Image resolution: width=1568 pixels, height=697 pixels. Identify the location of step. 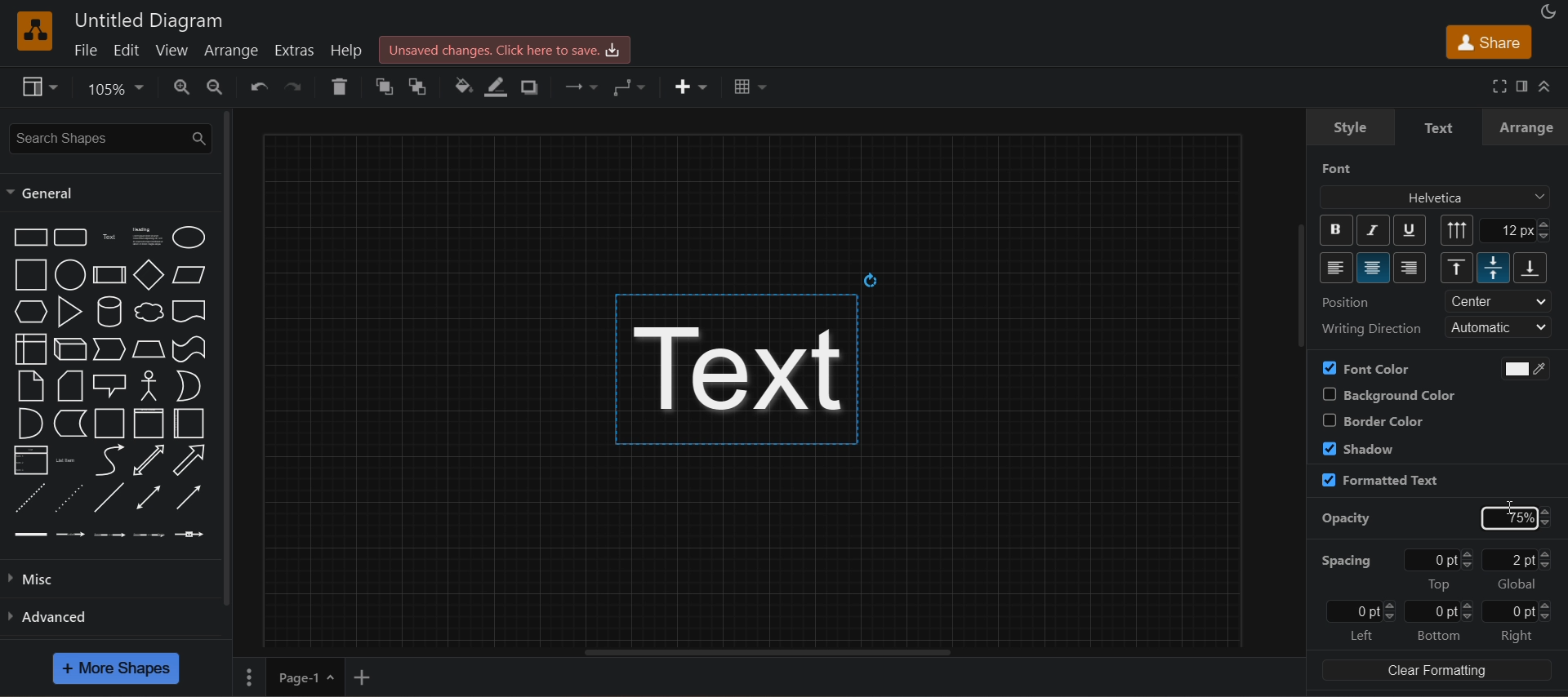
(110, 349).